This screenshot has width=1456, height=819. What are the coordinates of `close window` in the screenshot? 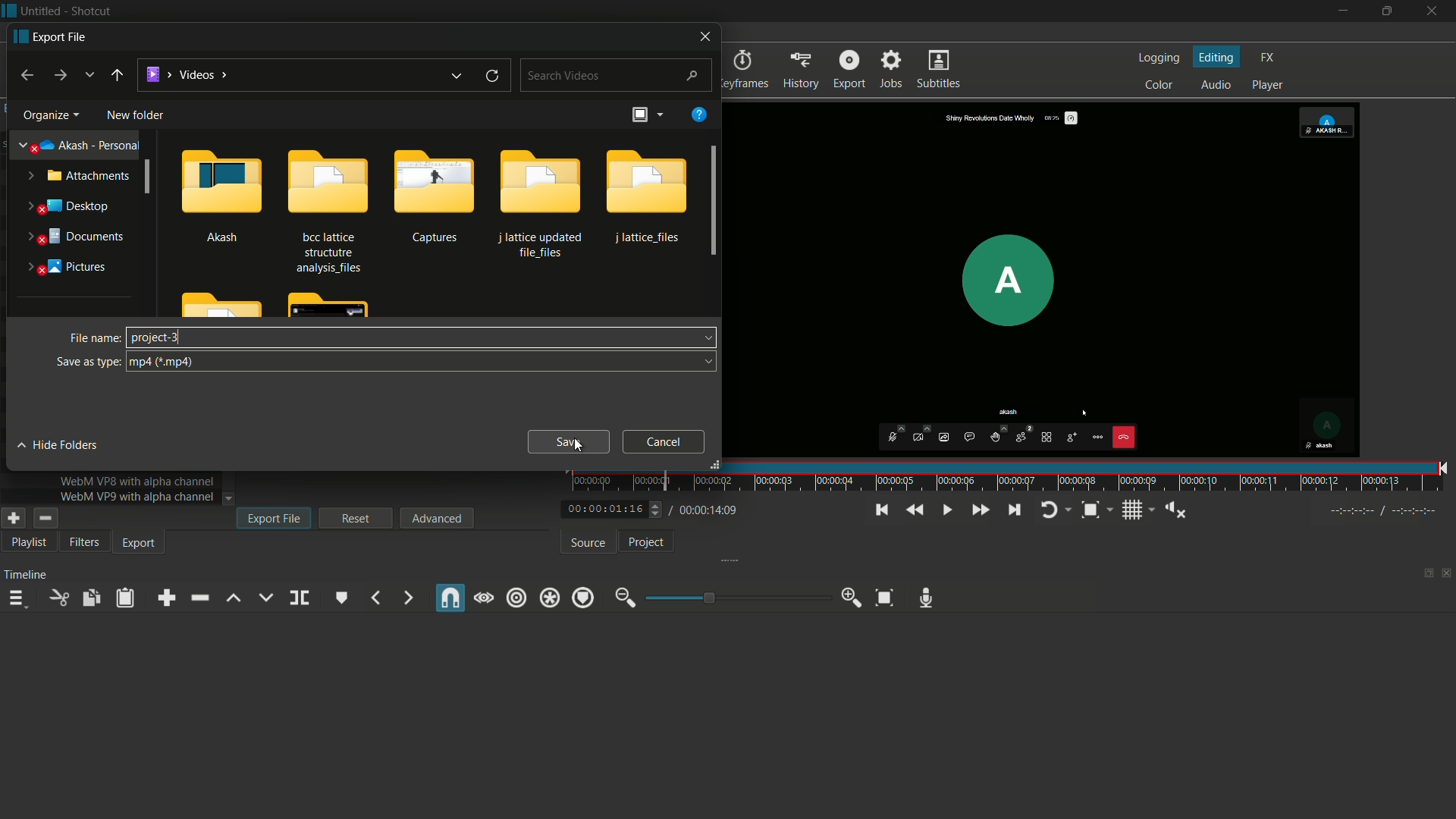 It's located at (703, 36).